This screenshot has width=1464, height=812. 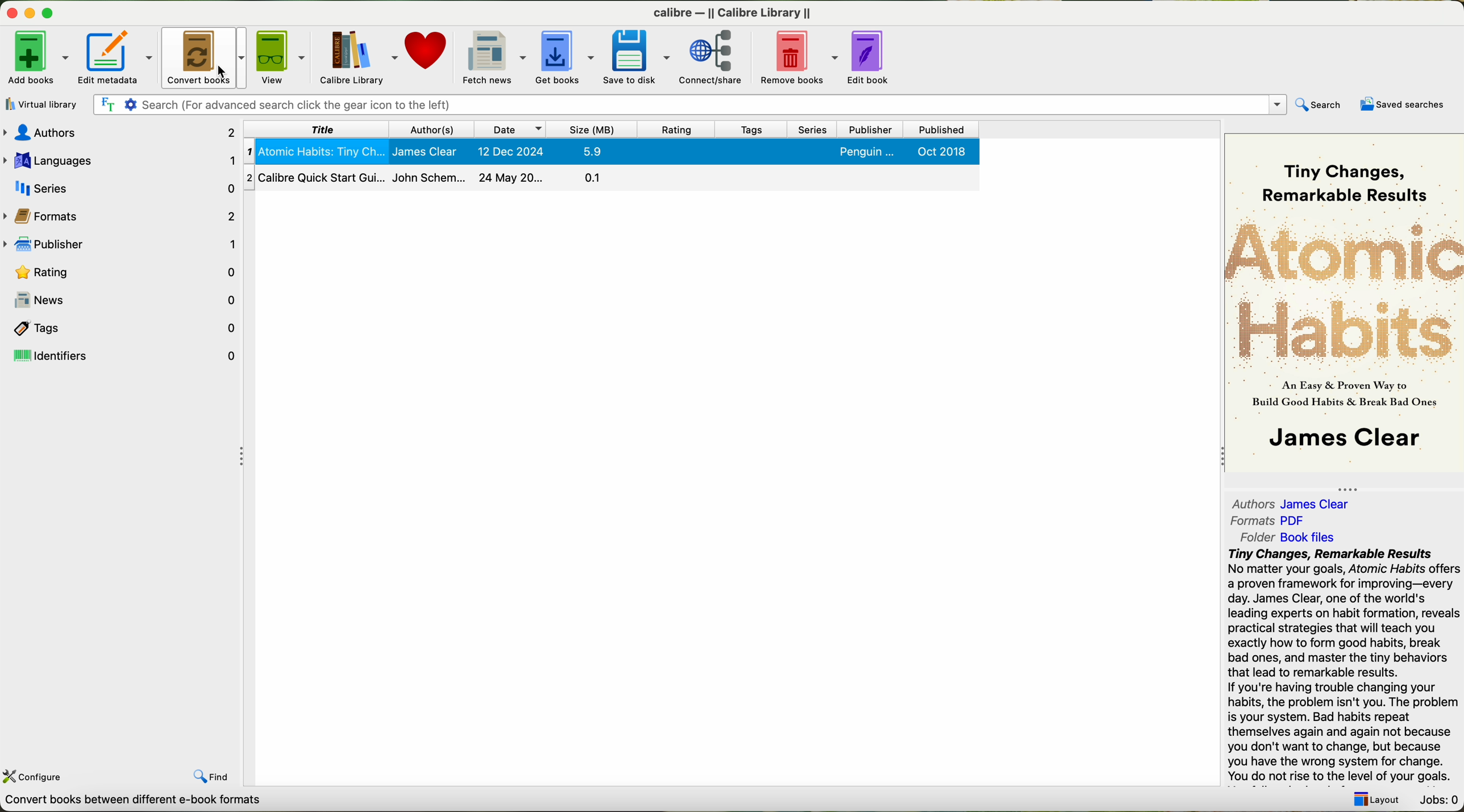 I want to click on minimize, so click(x=30, y=11).